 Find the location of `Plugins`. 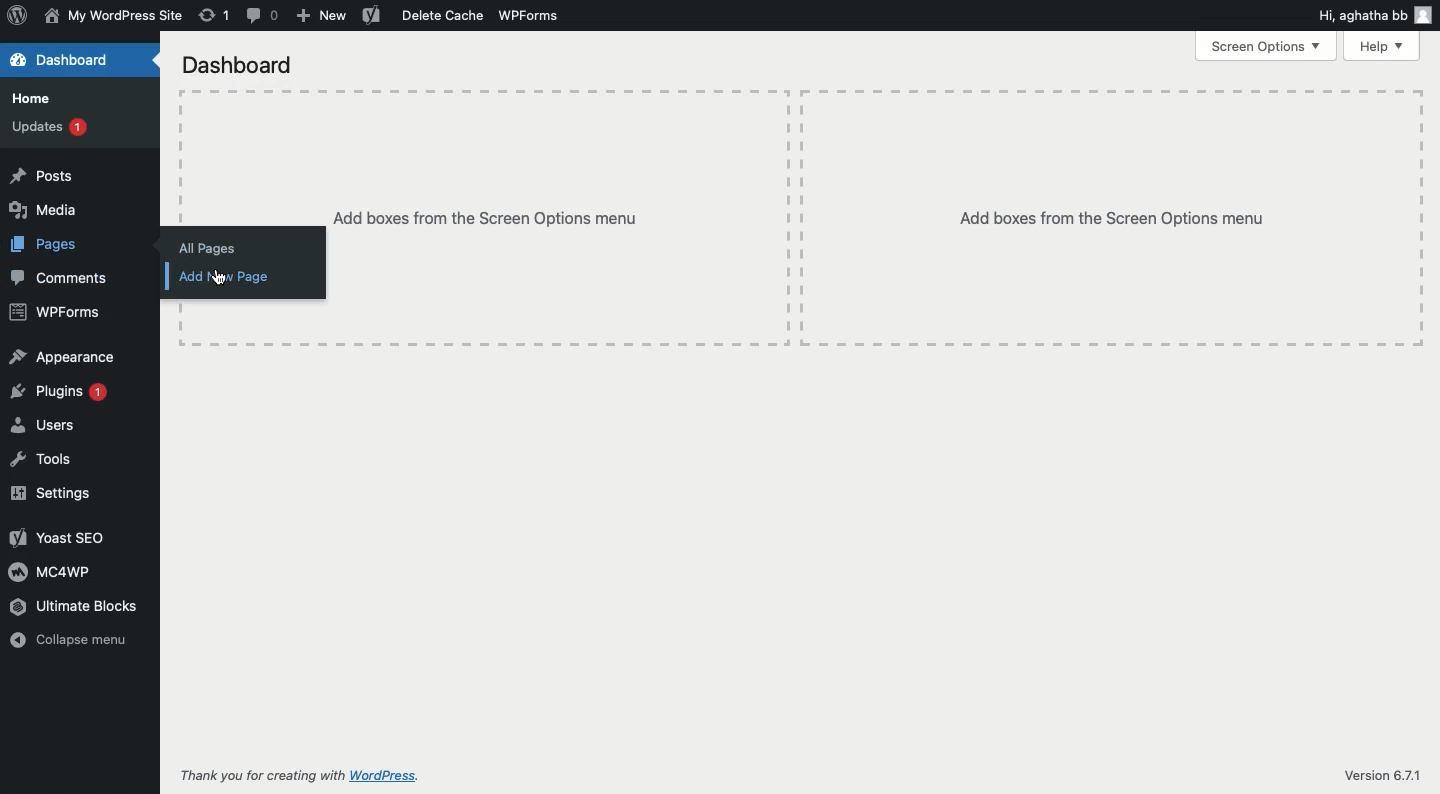

Plugins is located at coordinates (58, 394).